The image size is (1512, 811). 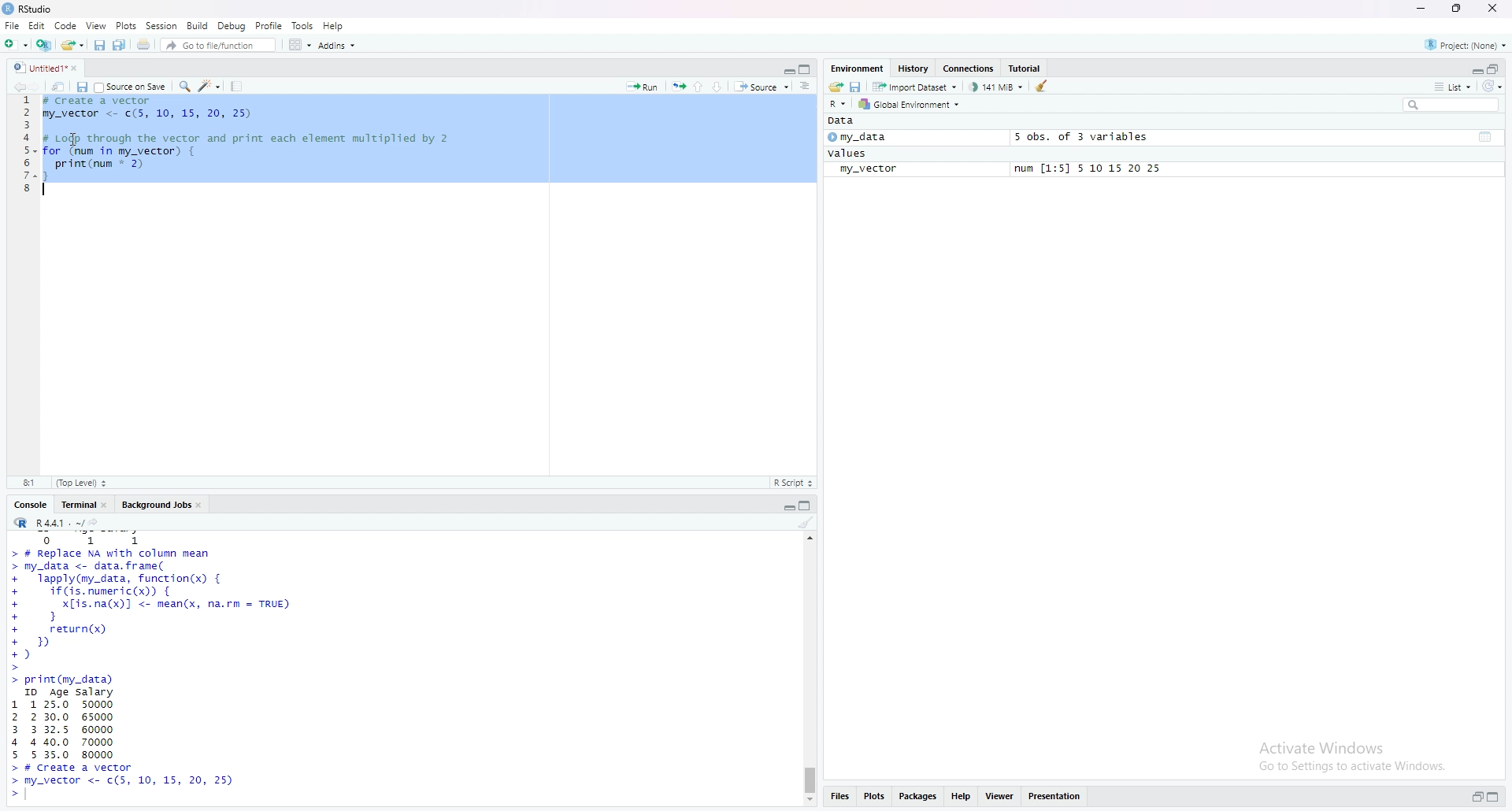 I want to click on Run, so click(x=643, y=86).